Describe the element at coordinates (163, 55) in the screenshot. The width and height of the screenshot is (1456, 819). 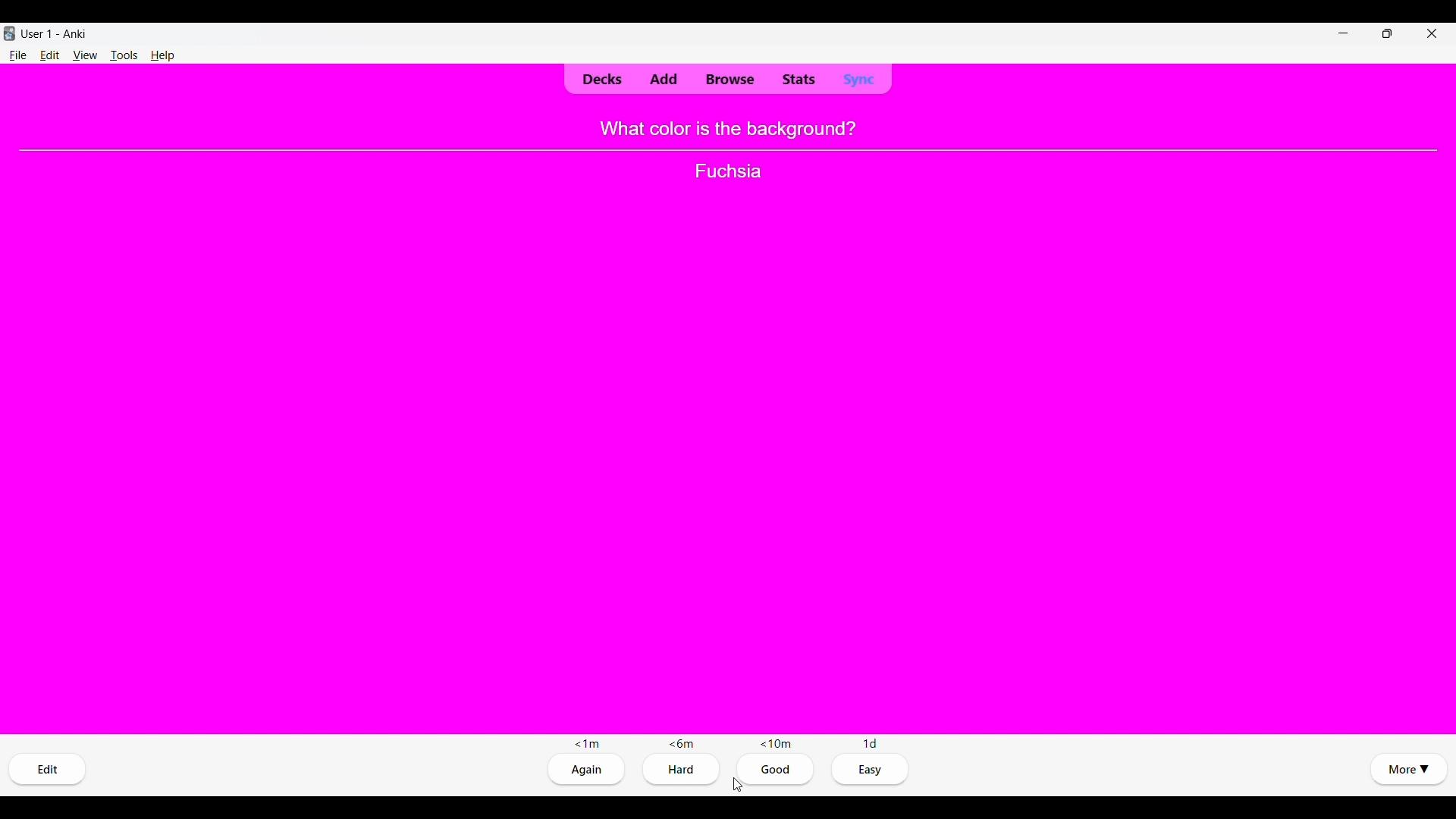
I see `Help menu` at that location.